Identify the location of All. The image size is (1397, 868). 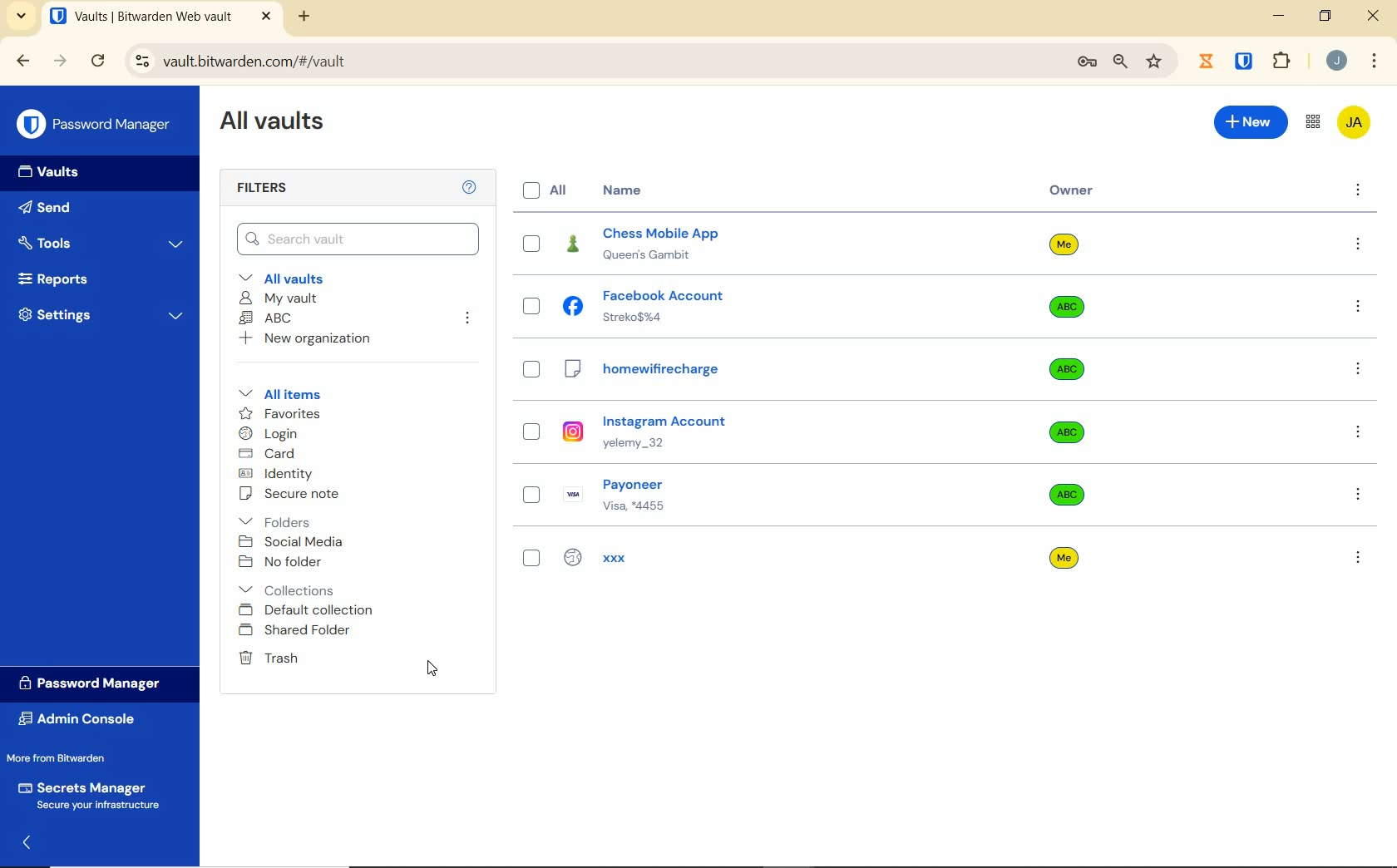
(549, 192).